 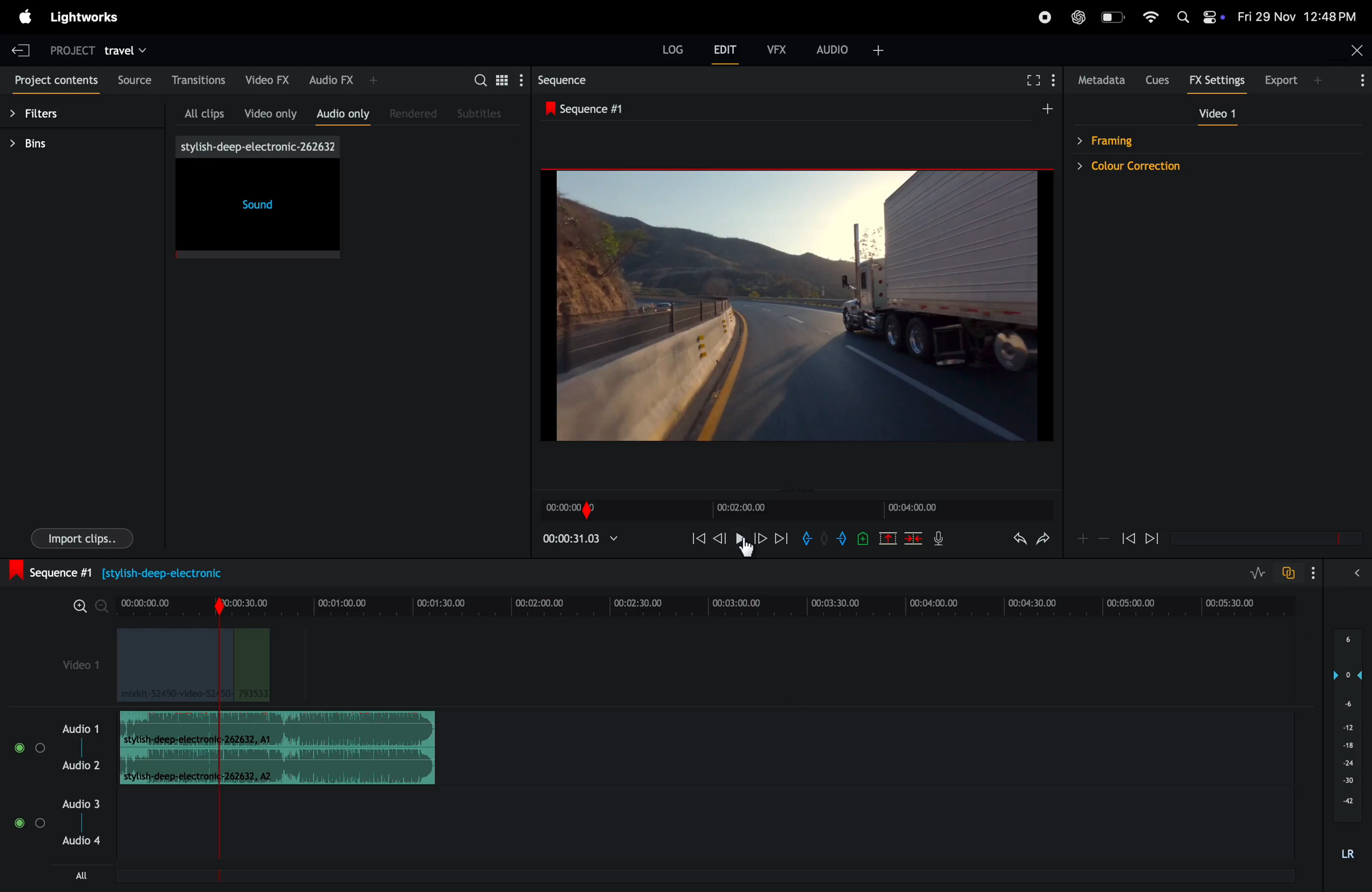 I want to click on chatgpt, so click(x=1076, y=18).